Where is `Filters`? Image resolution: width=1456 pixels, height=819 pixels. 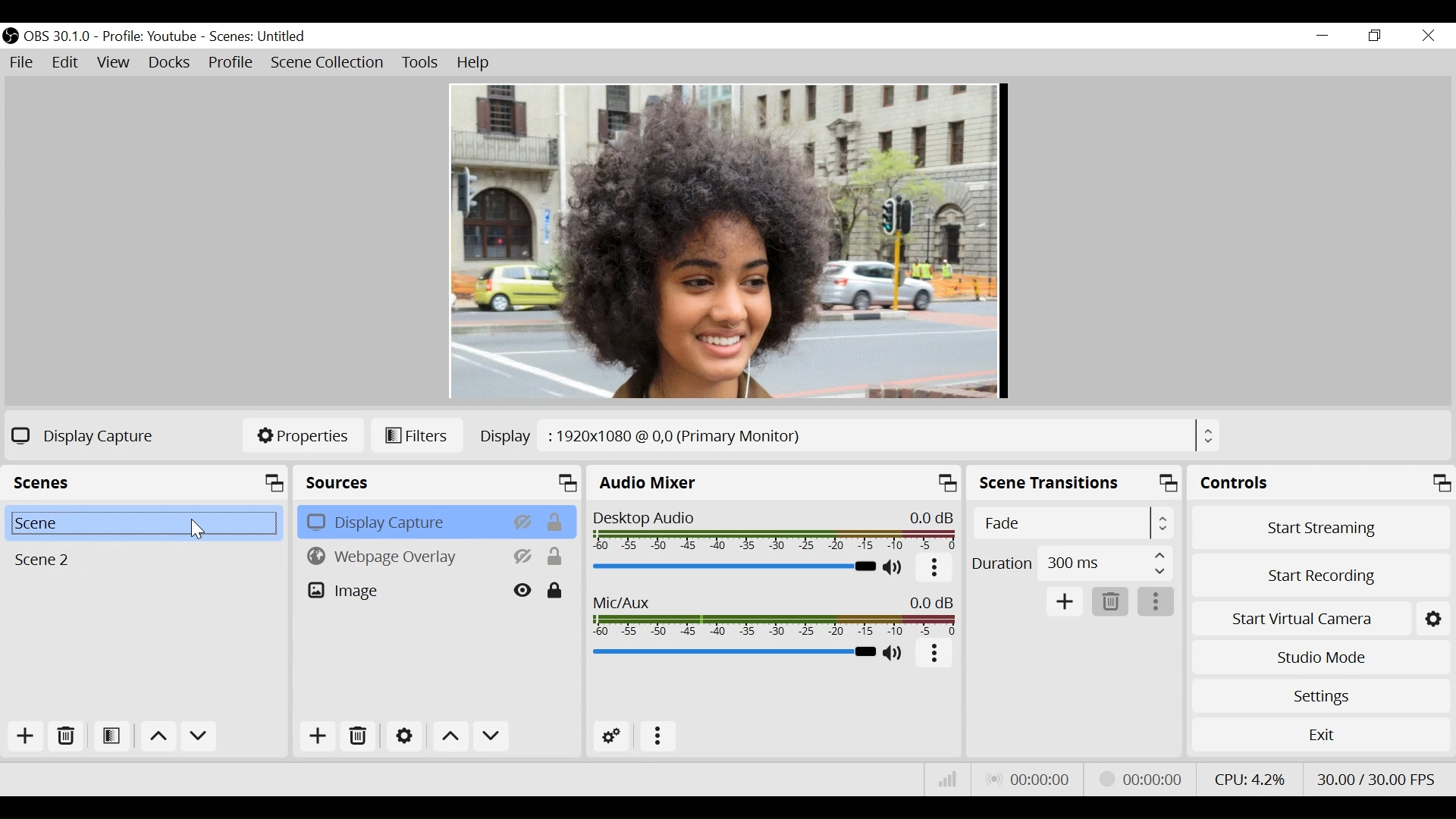 Filters is located at coordinates (419, 436).